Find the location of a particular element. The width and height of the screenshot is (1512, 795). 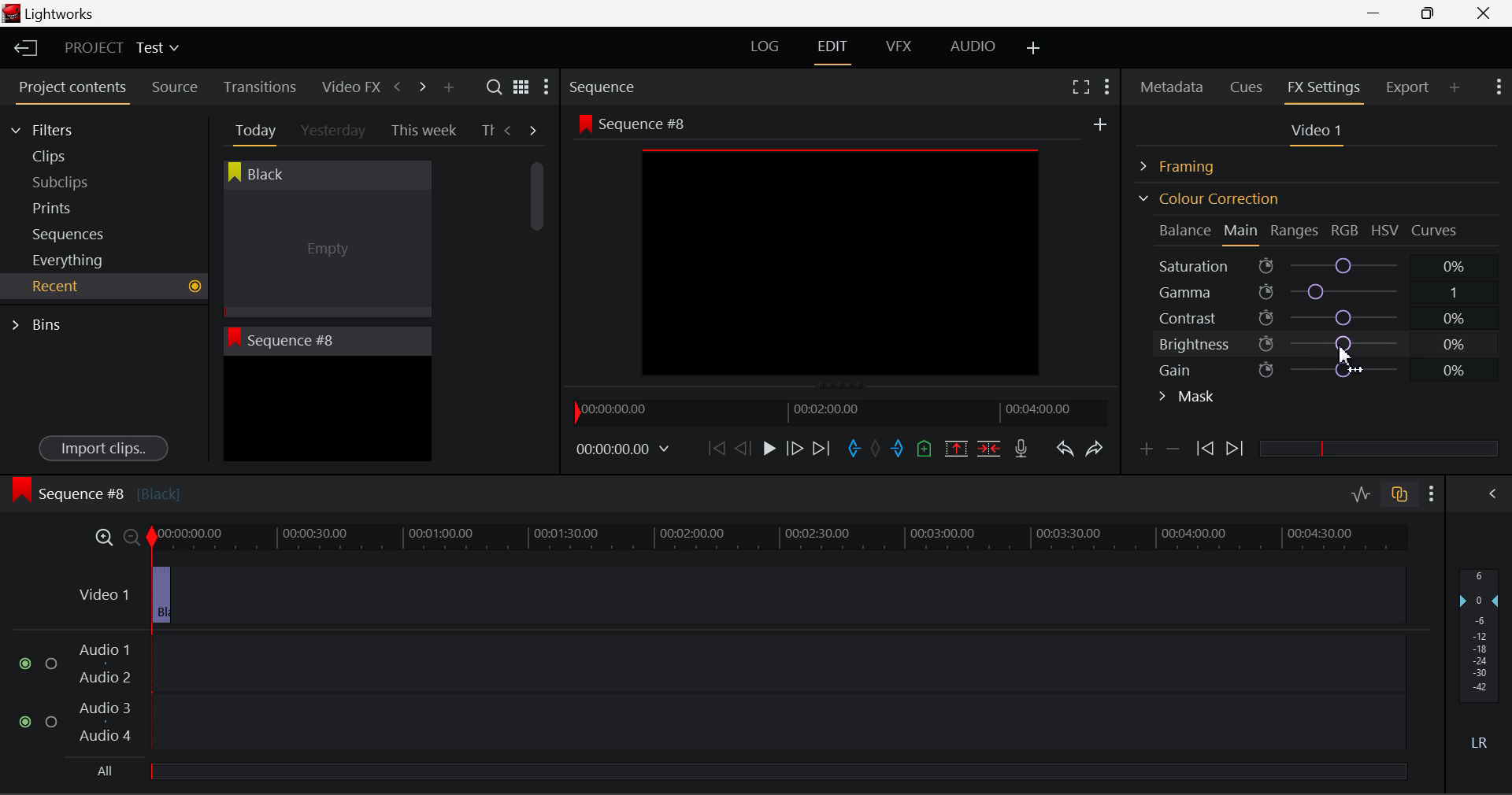

Colour Correction is located at coordinates (1208, 198).